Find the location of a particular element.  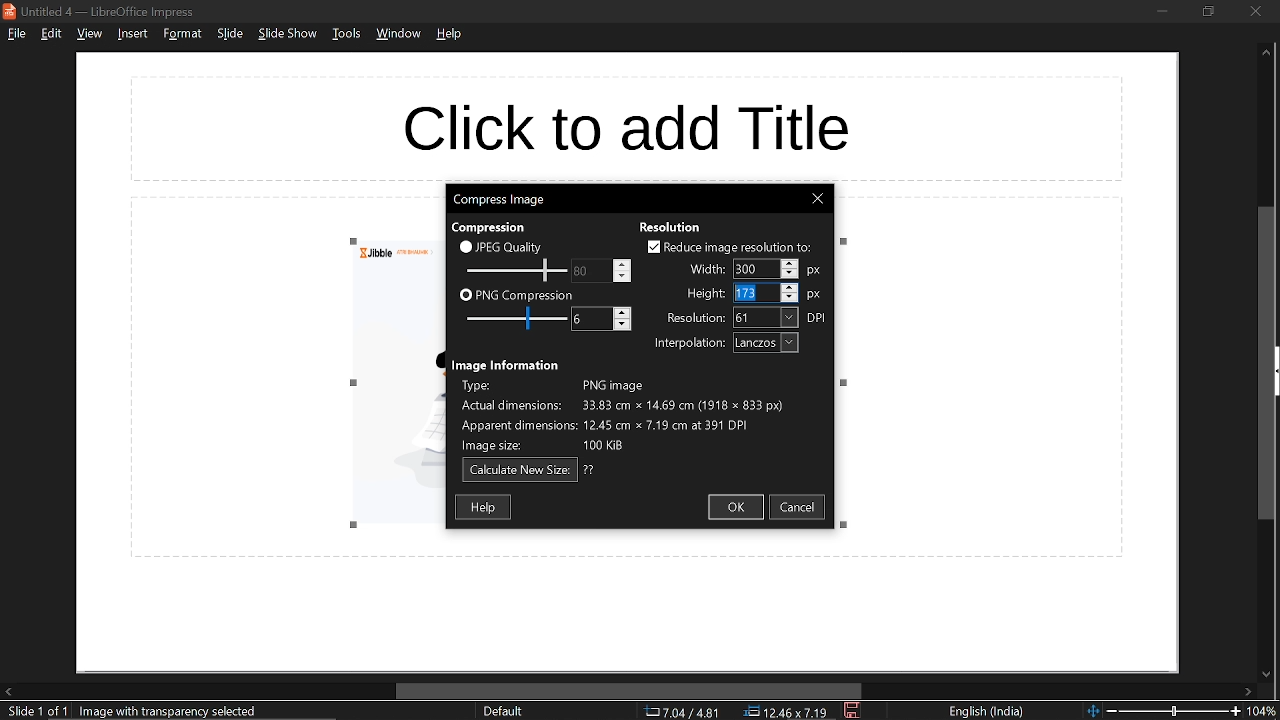

text is located at coordinates (506, 364).